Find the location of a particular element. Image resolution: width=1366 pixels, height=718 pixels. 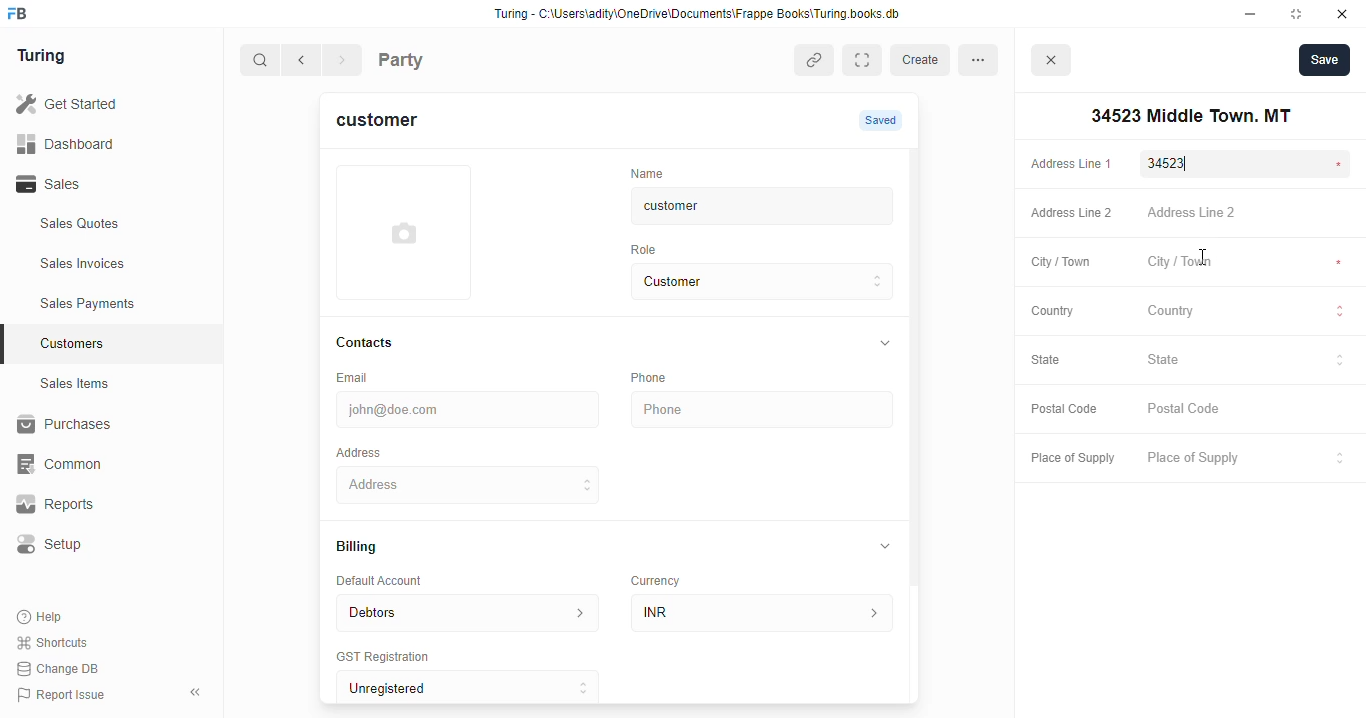

close is located at coordinates (1054, 63).